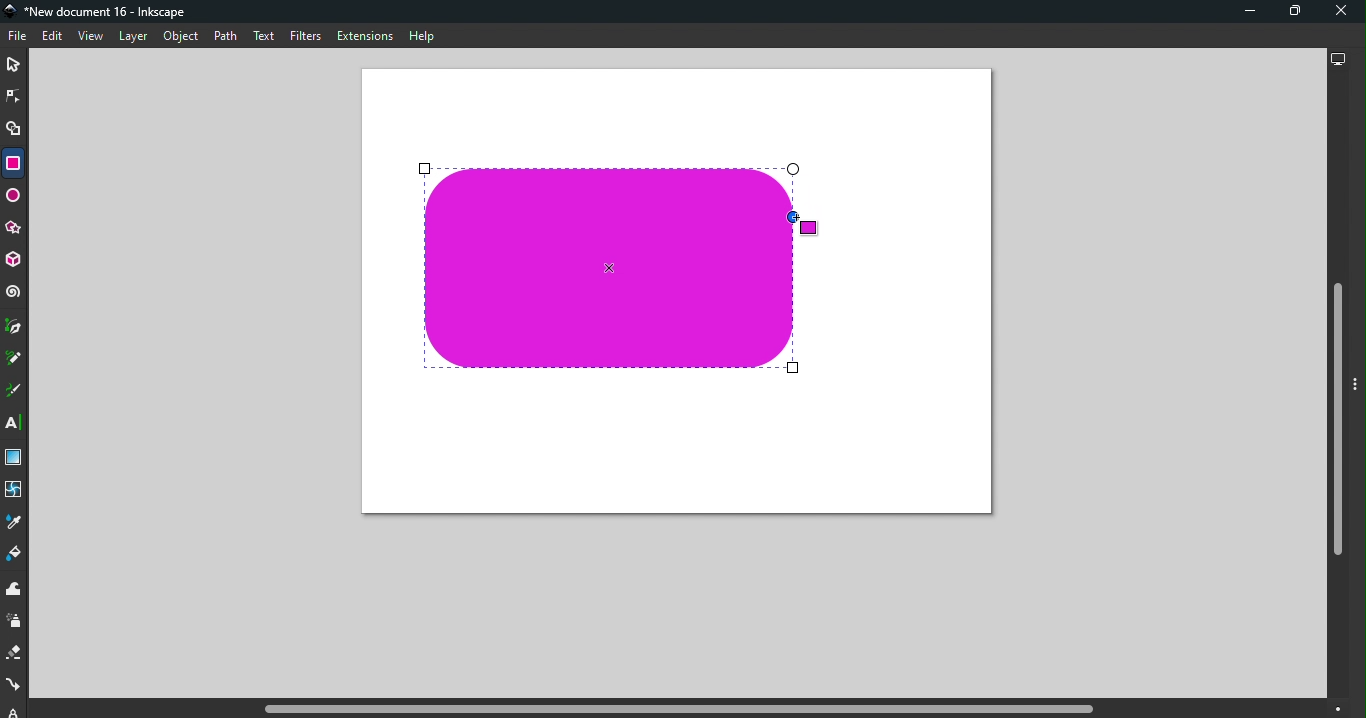 This screenshot has height=718, width=1366. I want to click on Toggle command panel, so click(1358, 386).